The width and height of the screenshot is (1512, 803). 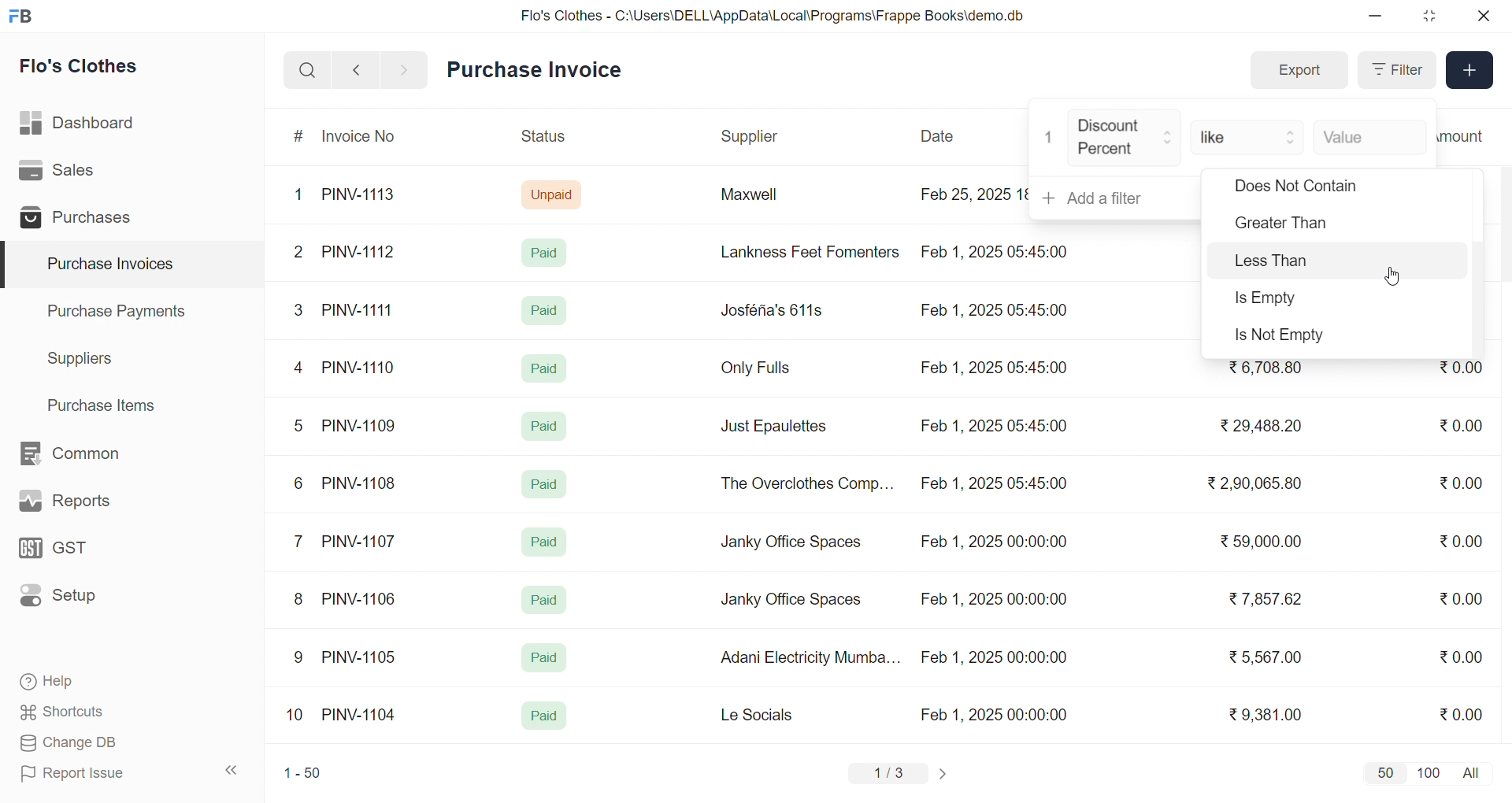 What do you see at coordinates (99, 712) in the screenshot?
I see `Shortcuts` at bounding box center [99, 712].